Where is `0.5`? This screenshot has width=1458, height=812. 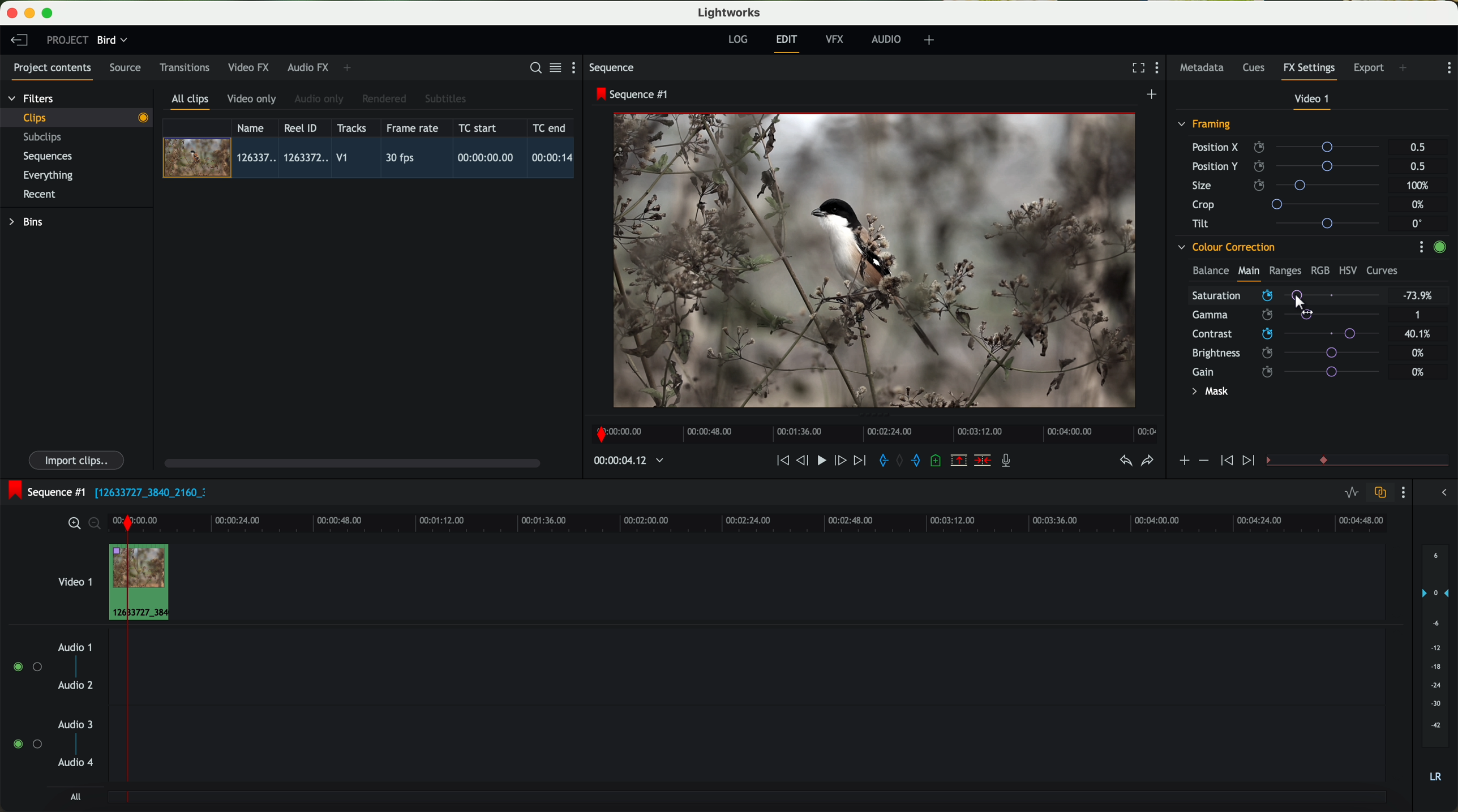 0.5 is located at coordinates (1417, 166).